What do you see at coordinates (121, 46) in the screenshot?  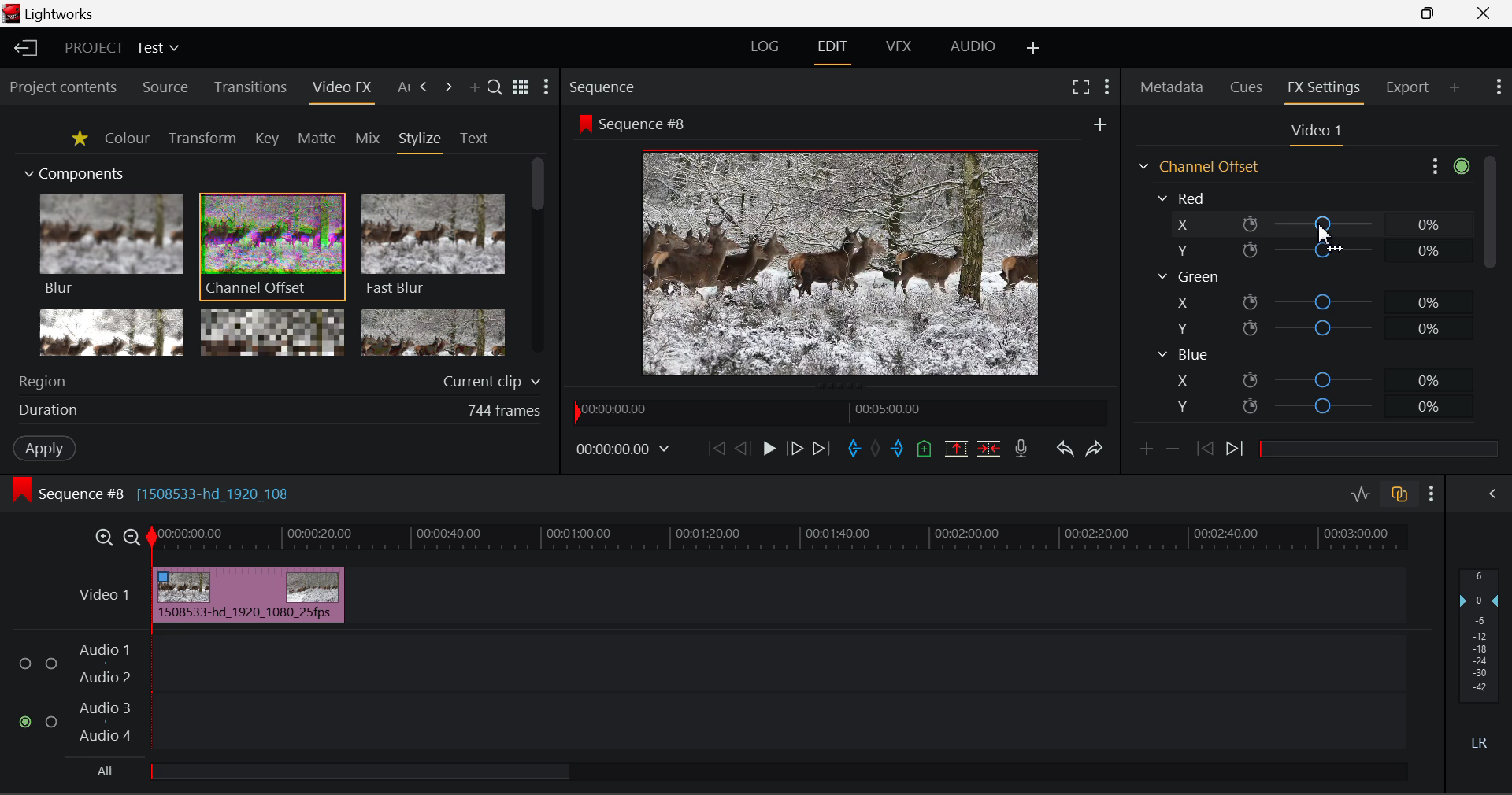 I see `Project Title` at bounding box center [121, 46].